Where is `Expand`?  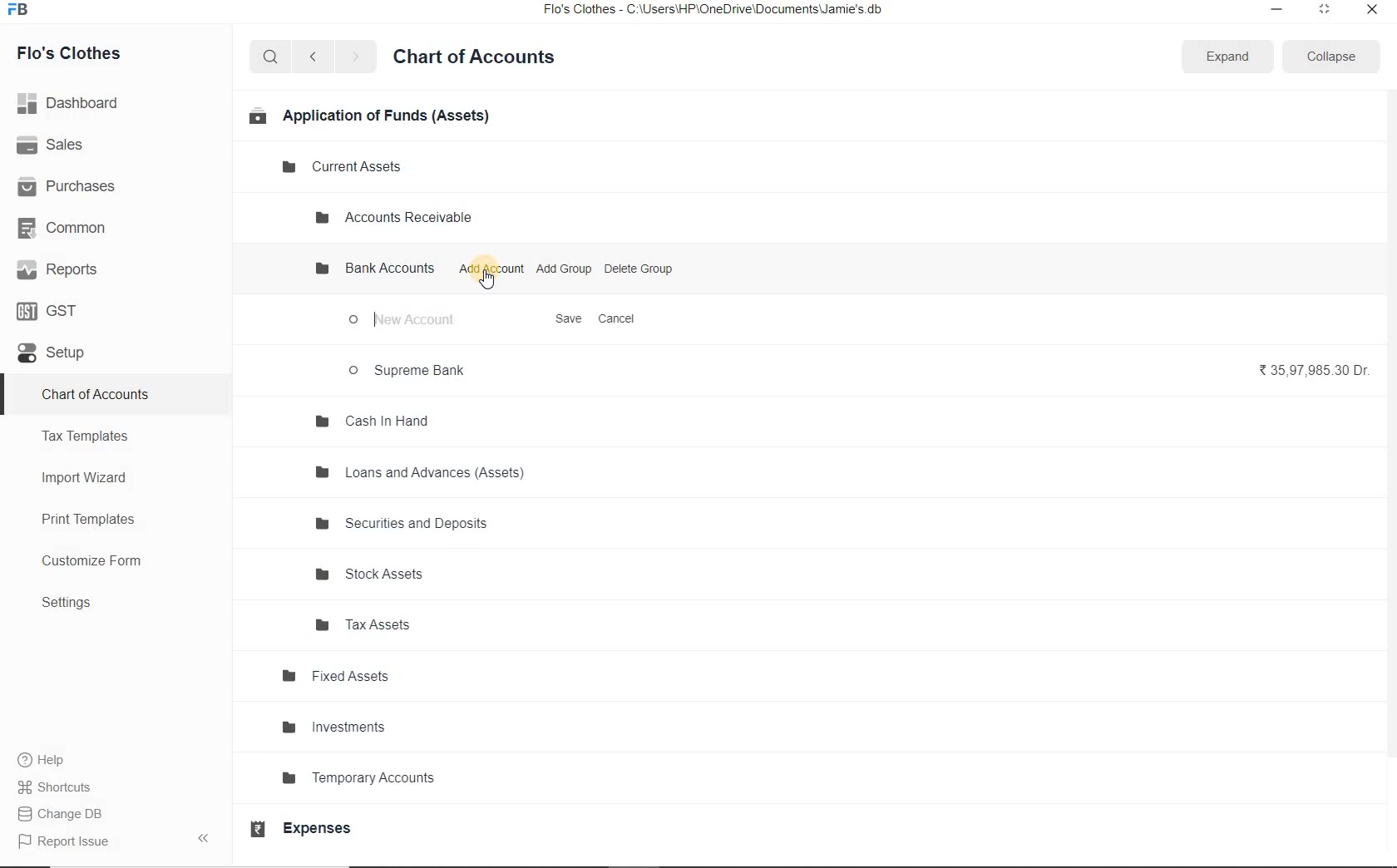
Expand is located at coordinates (1228, 56).